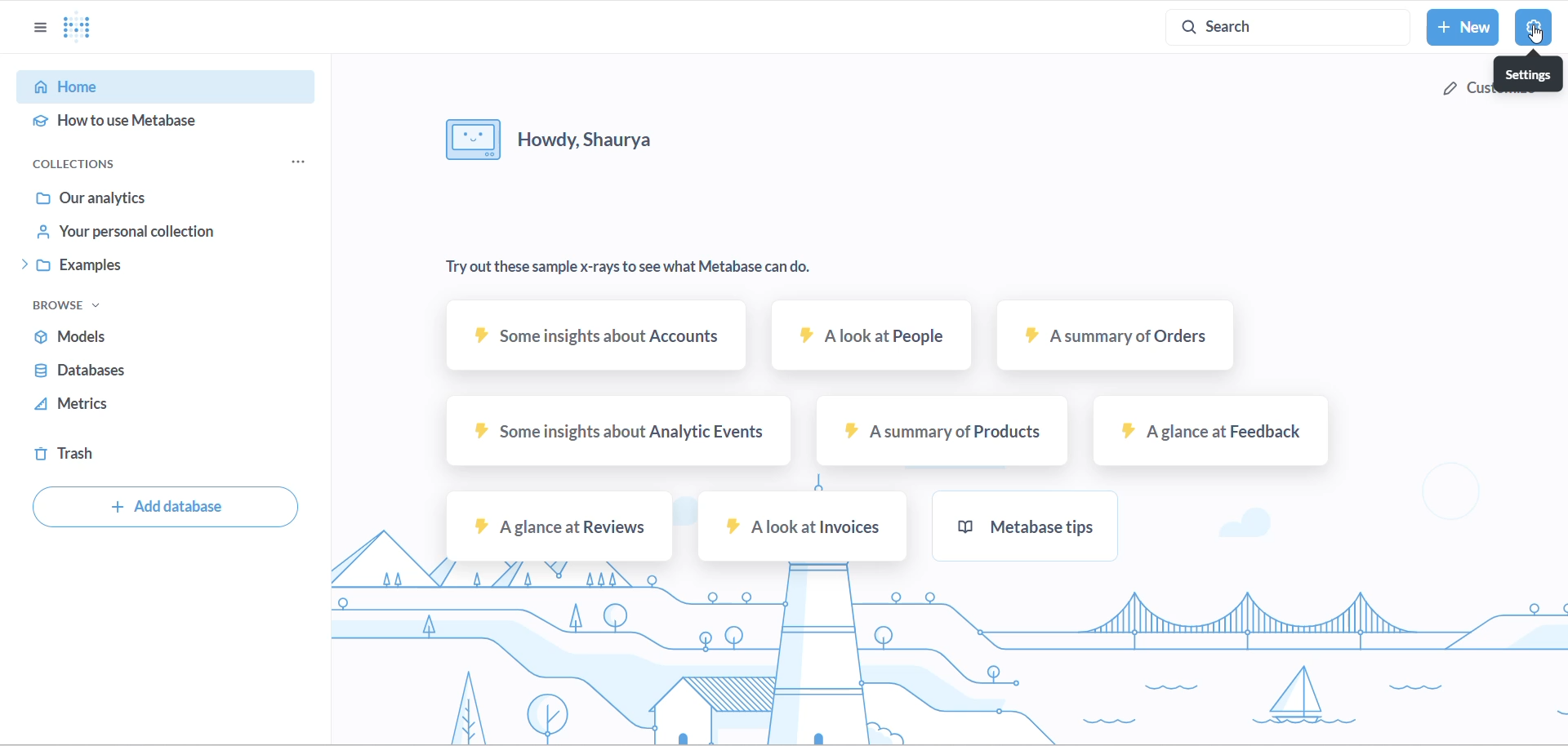 This screenshot has height=746, width=1568. What do you see at coordinates (1528, 74) in the screenshot?
I see `settings` at bounding box center [1528, 74].